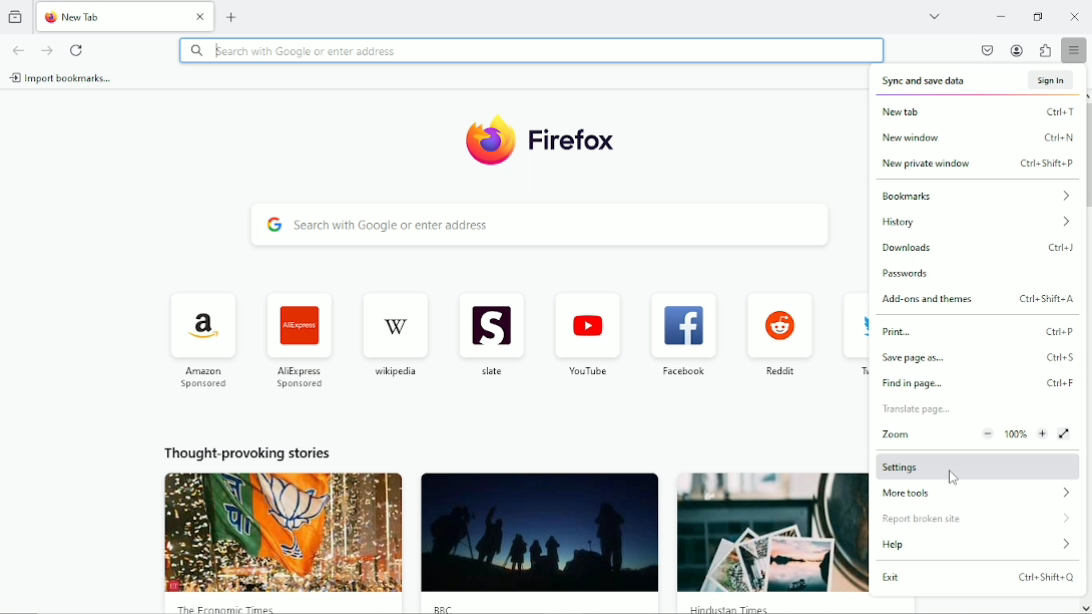 Image resolution: width=1092 pixels, height=614 pixels. Describe the element at coordinates (284, 532) in the screenshot. I see `image` at that location.